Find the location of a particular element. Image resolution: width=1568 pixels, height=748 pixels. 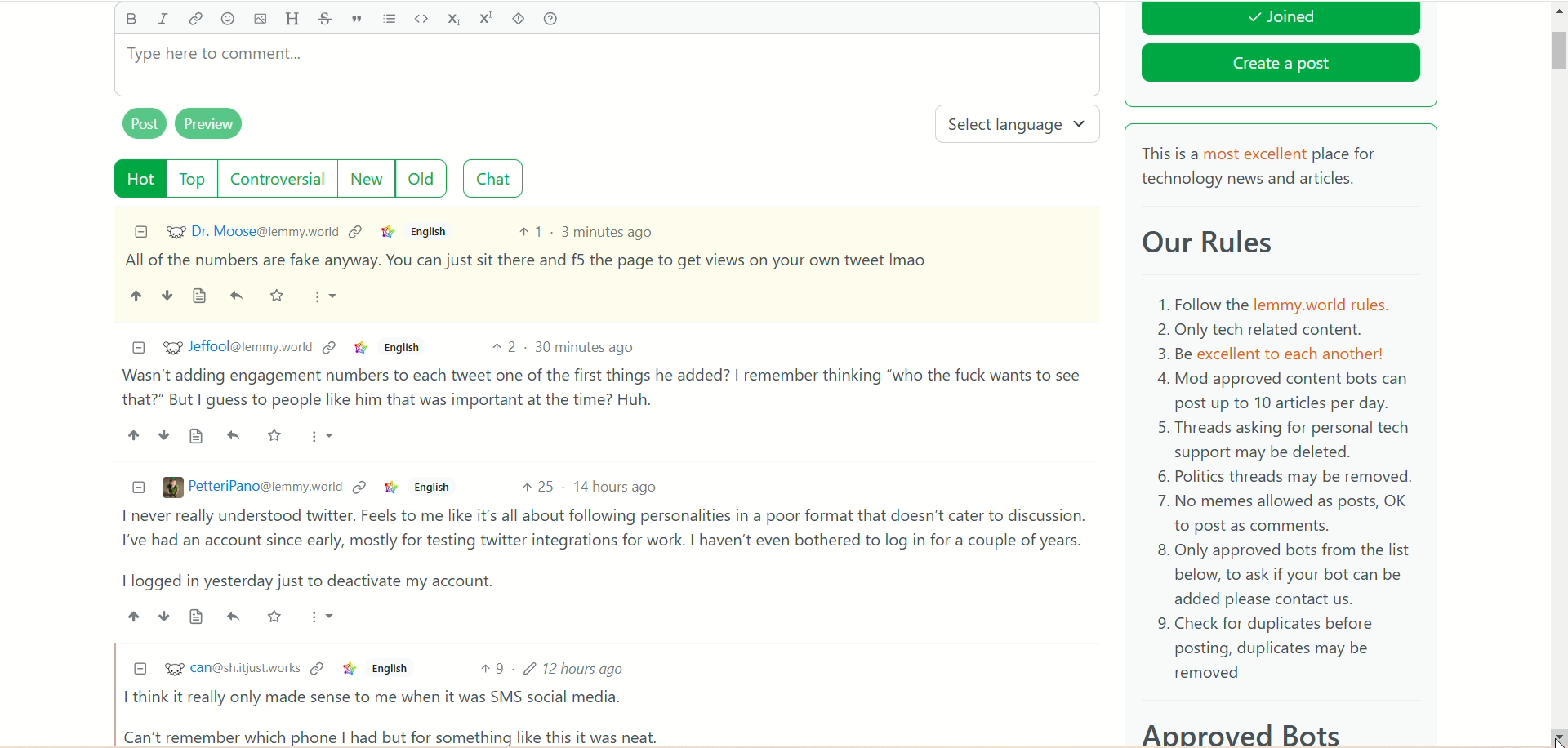

vertical scroll bar is located at coordinates (1558, 374).